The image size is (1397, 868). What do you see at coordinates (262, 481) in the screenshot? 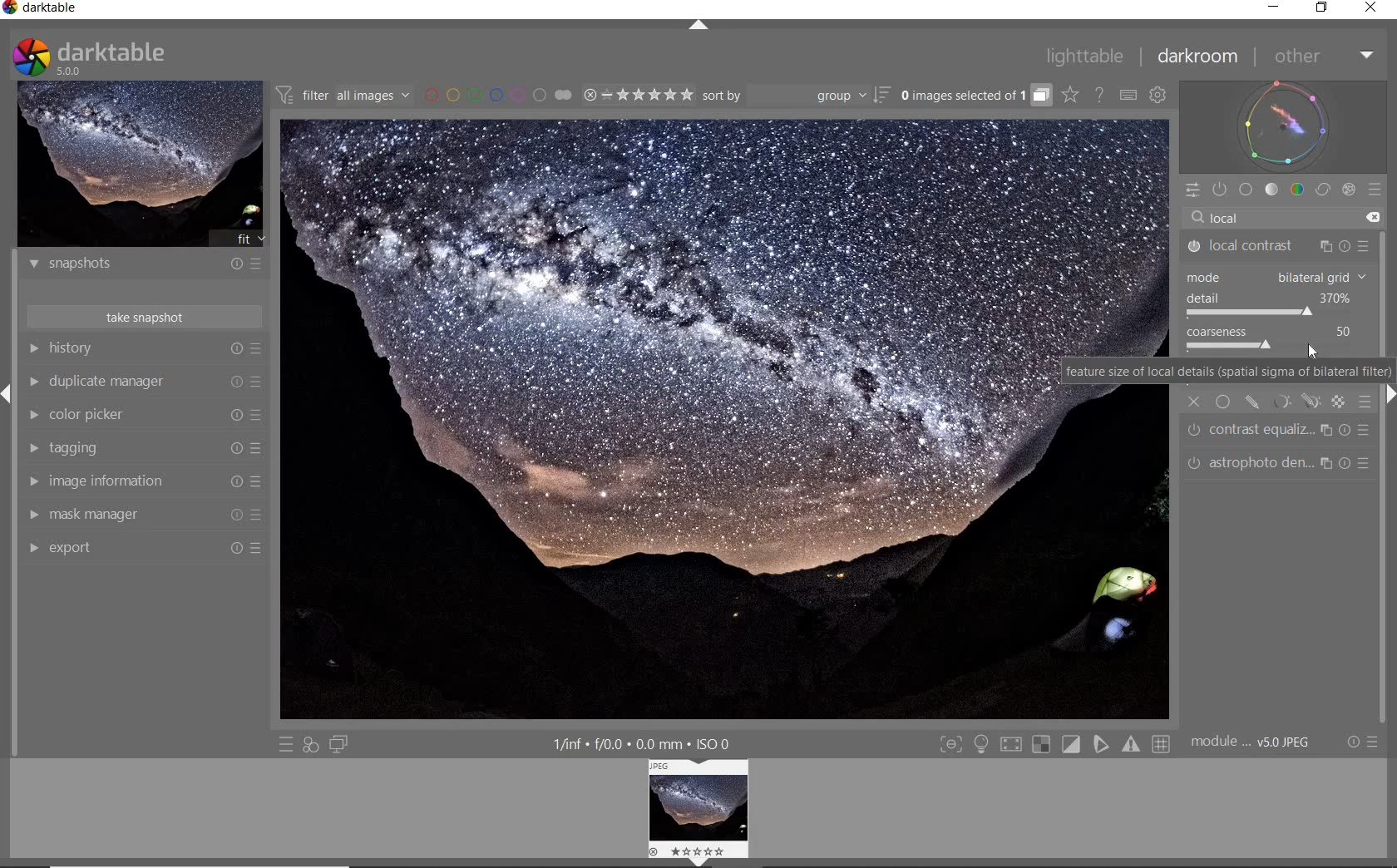
I see `Presets and preferences` at bounding box center [262, 481].